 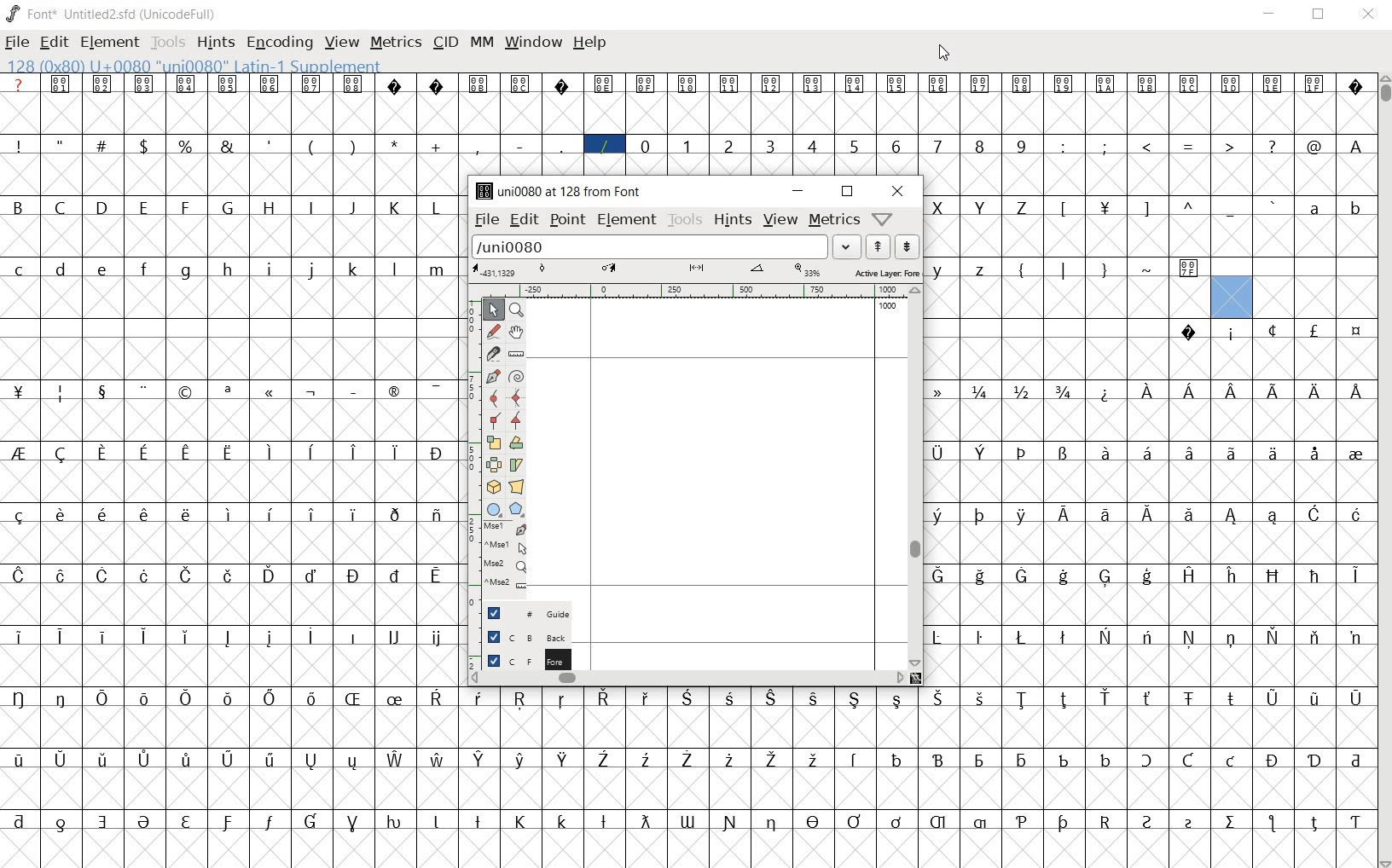 What do you see at coordinates (1147, 452) in the screenshot?
I see `glyph` at bounding box center [1147, 452].